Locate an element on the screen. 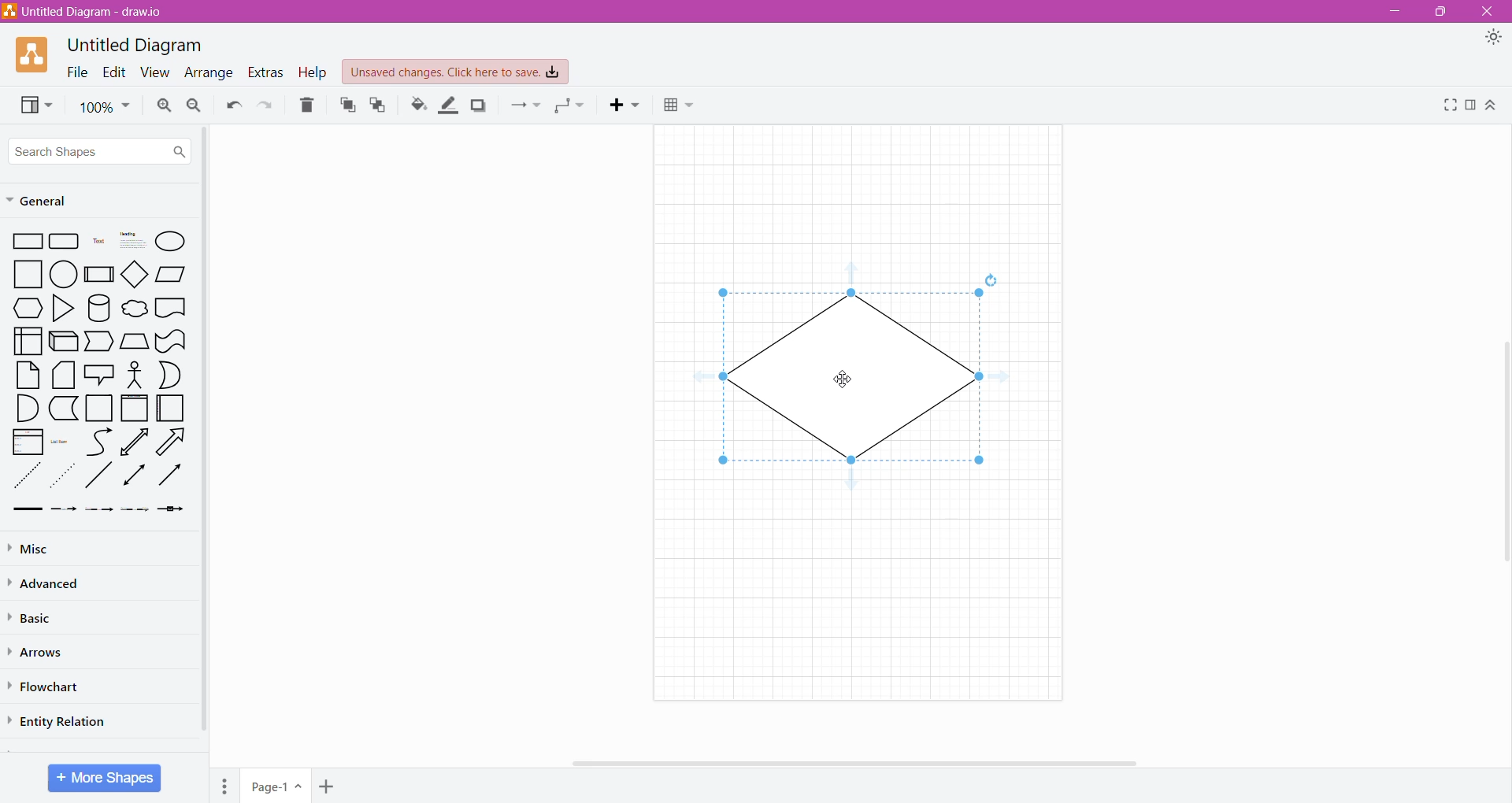  Minimize is located at coordinates (1394, 12).